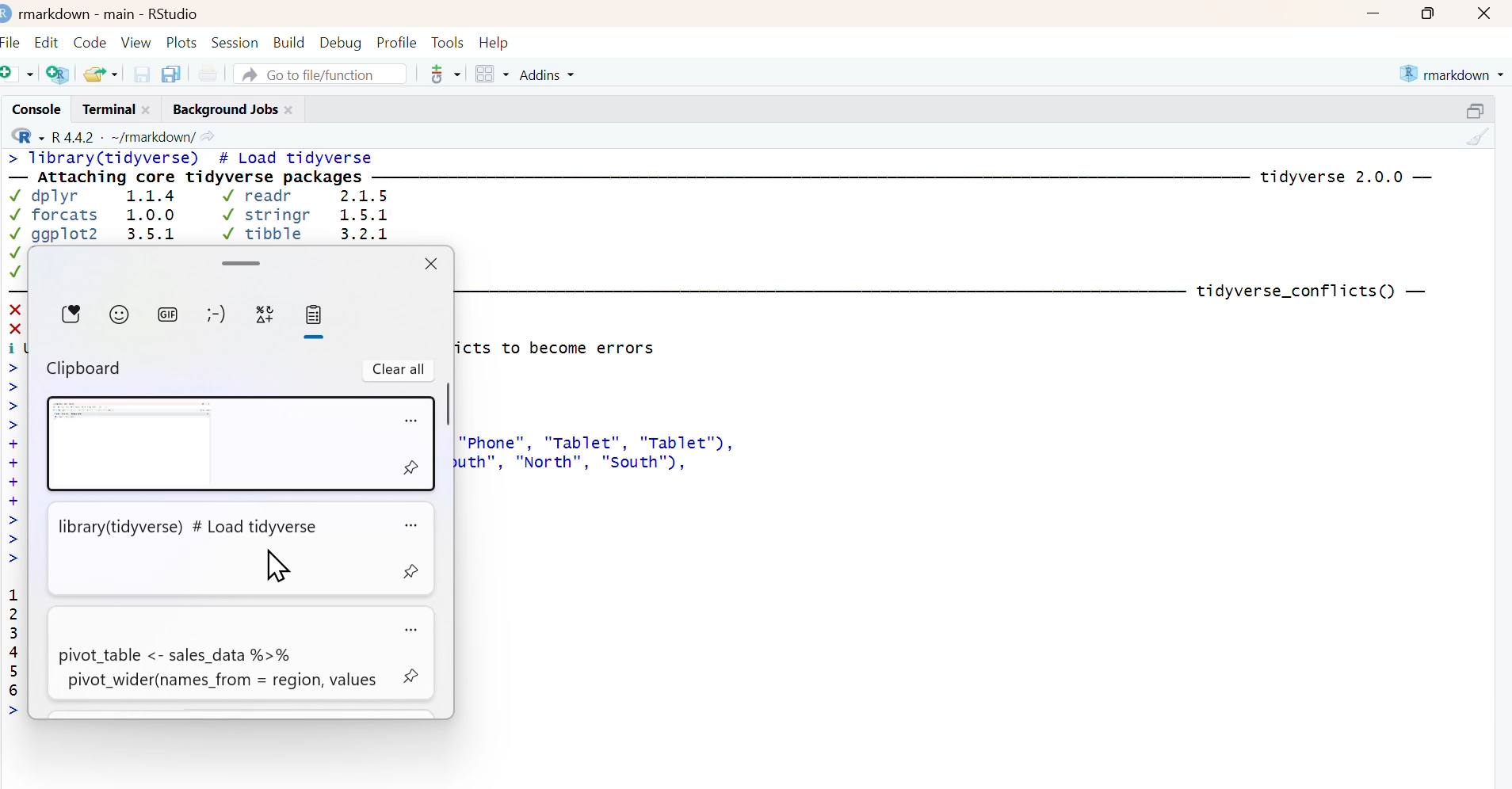  I want to click on drag handle, so click(242, 261).